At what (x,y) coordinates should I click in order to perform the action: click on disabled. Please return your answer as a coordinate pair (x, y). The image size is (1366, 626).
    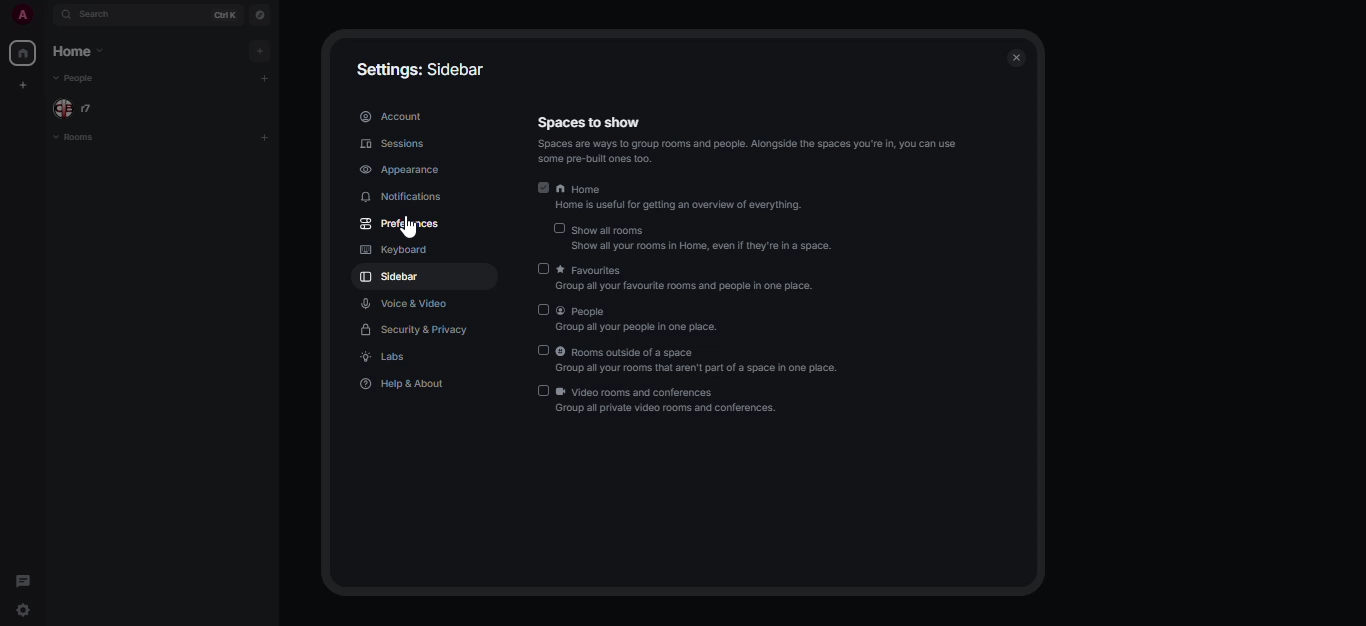
    Looking at the image, I should click on (543, 269).